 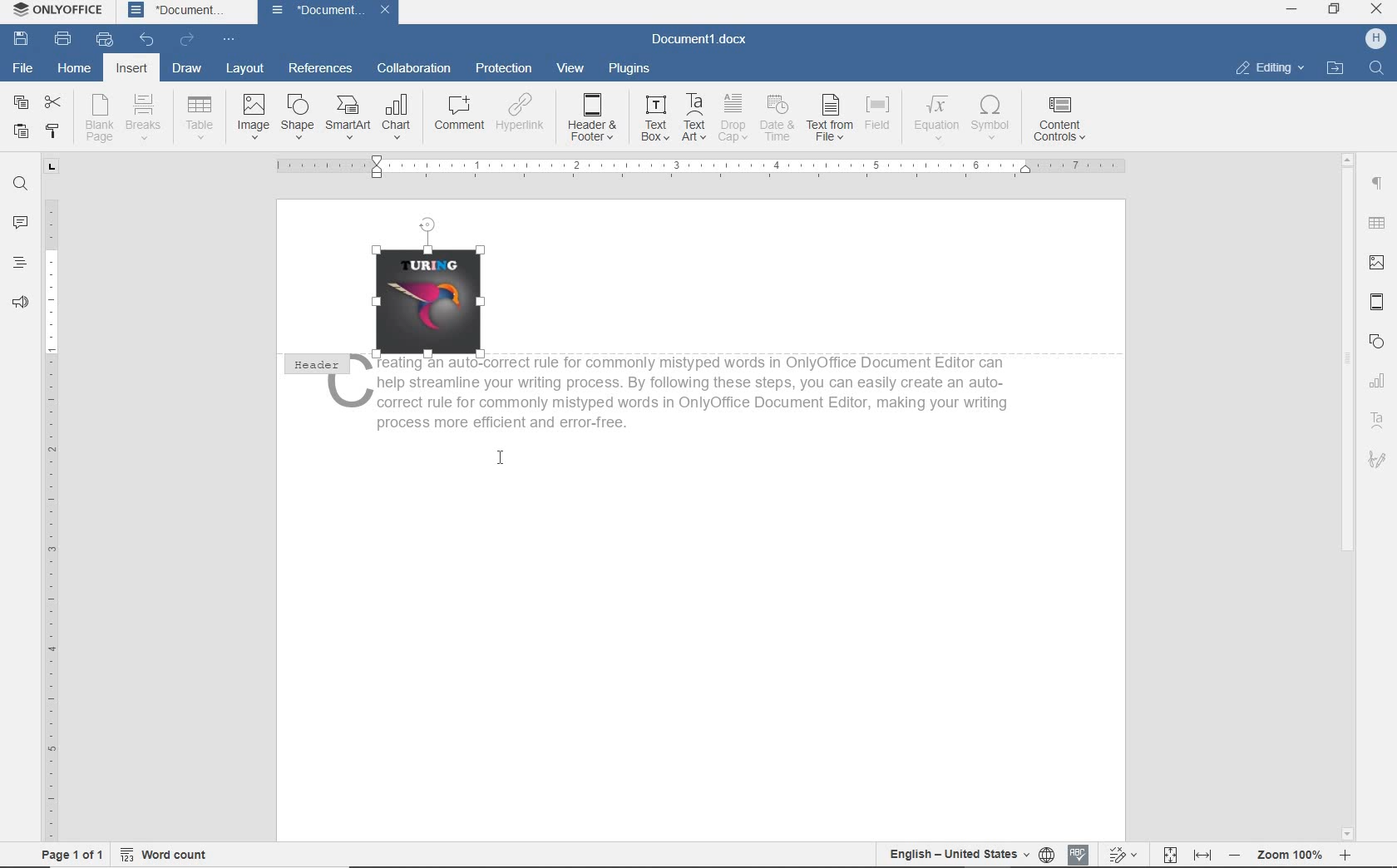 I want to click on , so click(x=830, y=117).